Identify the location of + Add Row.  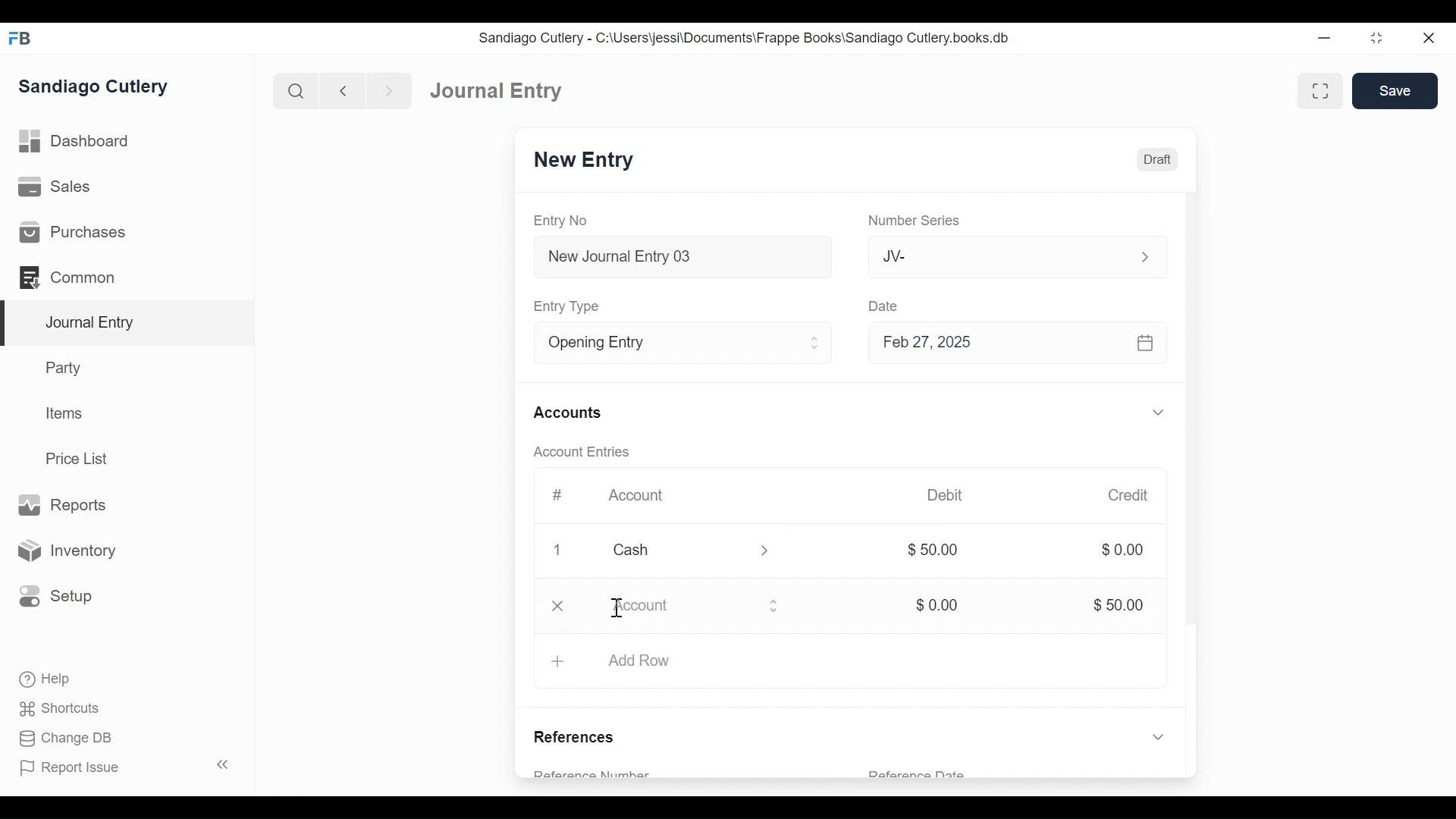
(617, 661).